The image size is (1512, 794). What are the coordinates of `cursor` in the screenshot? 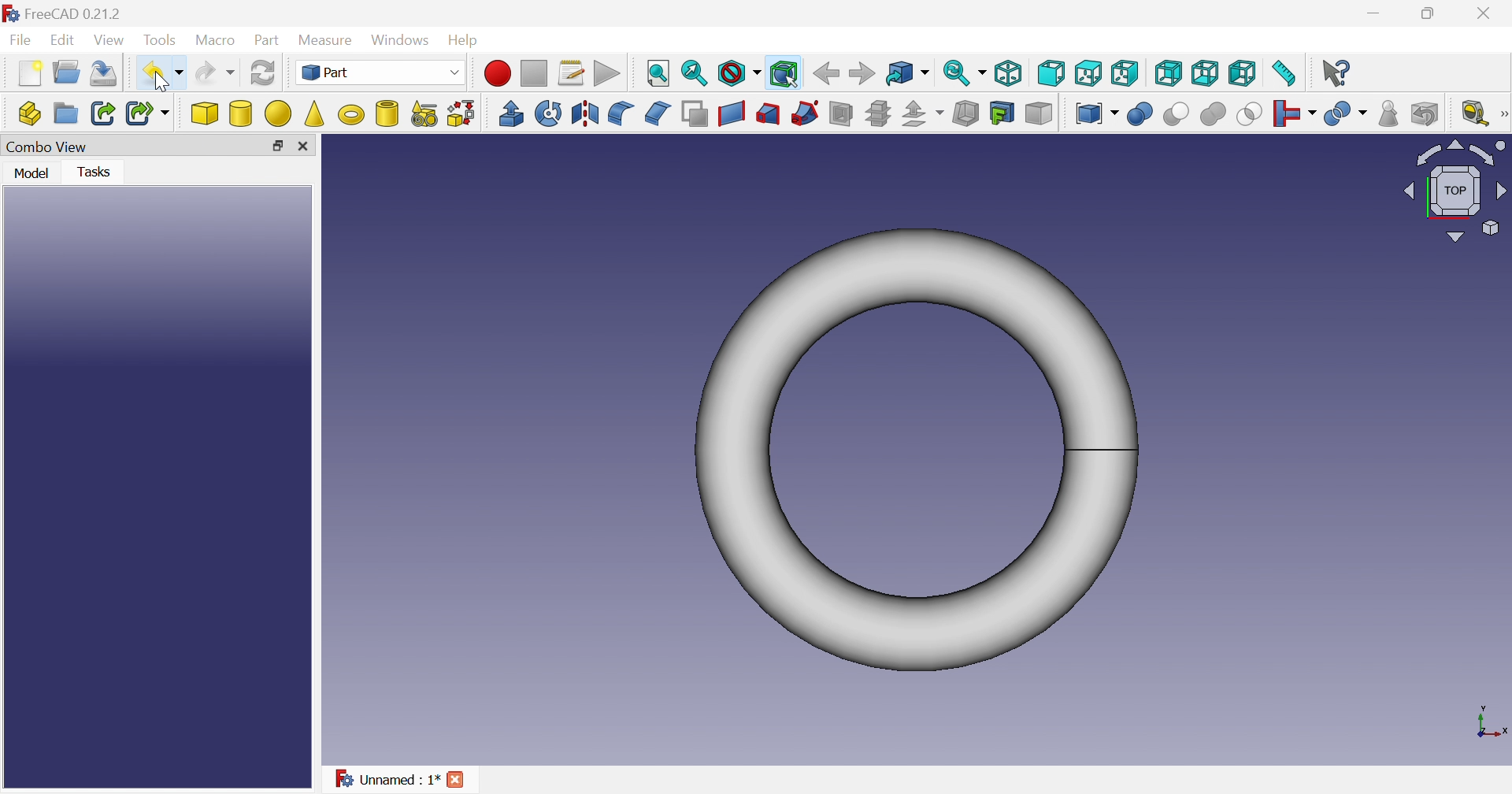 It's located at (165, 80).